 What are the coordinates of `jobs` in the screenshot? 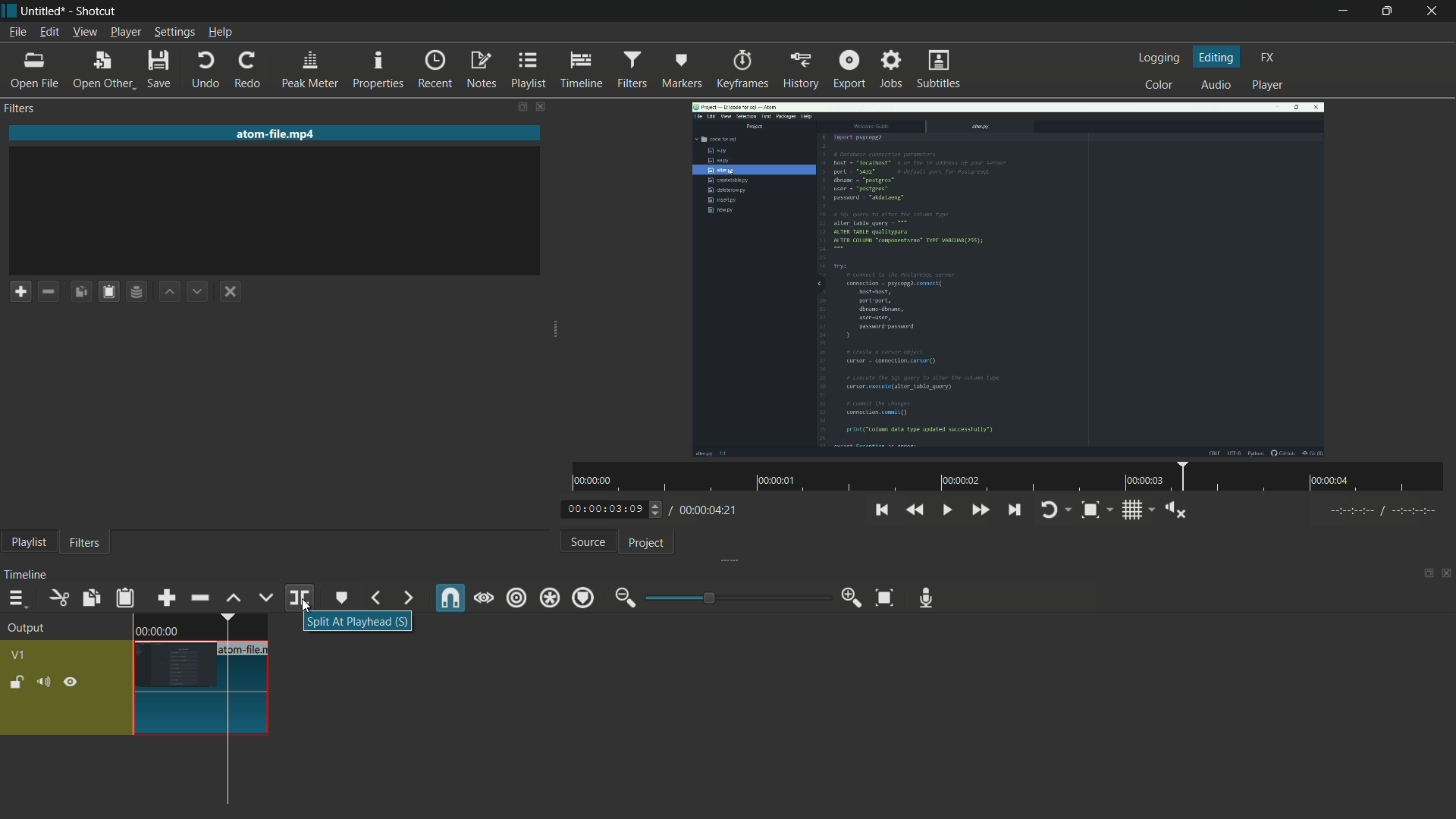 It's located at (893, 70).